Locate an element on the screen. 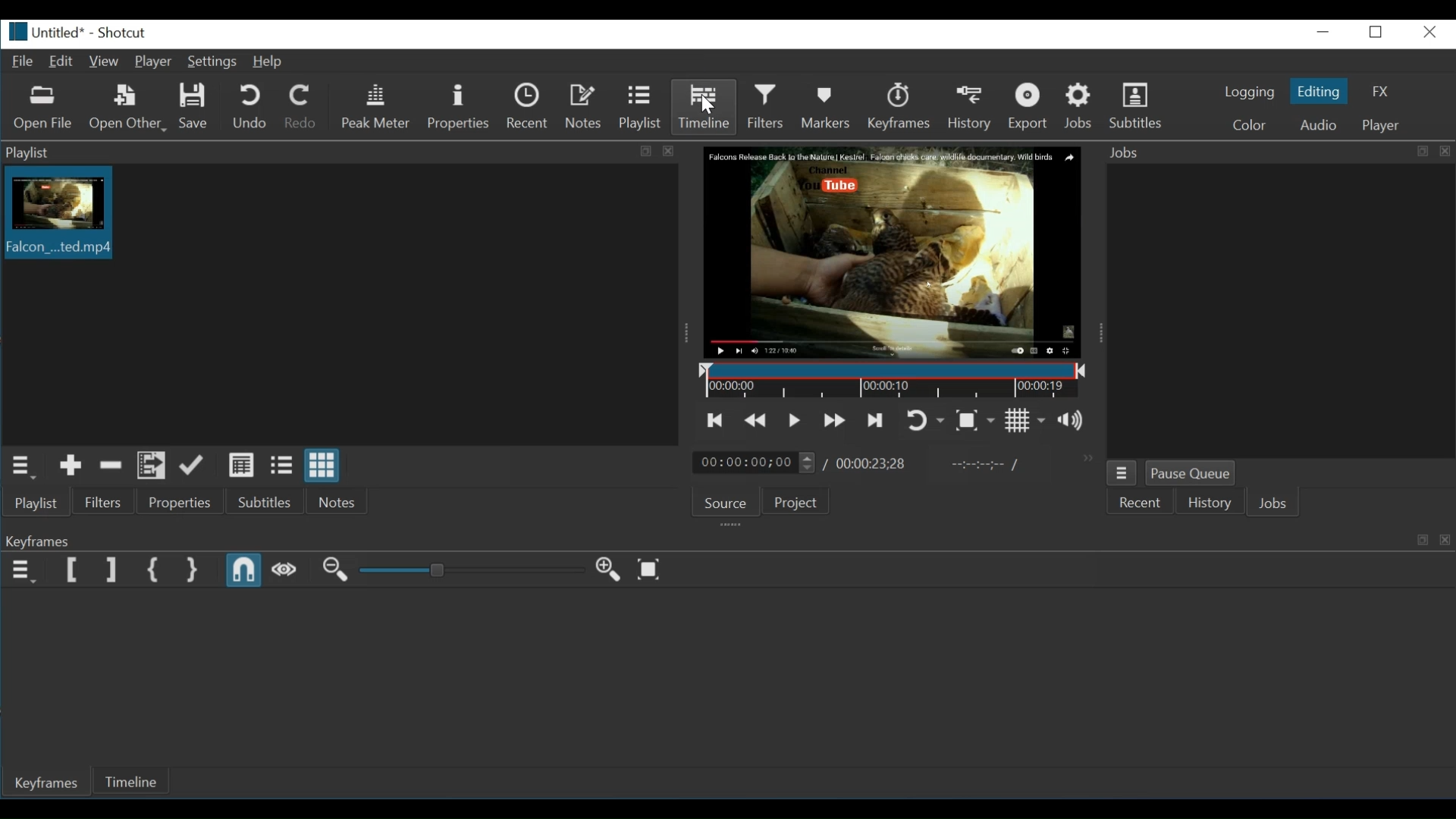  Update is located at coordinates (193, 466).